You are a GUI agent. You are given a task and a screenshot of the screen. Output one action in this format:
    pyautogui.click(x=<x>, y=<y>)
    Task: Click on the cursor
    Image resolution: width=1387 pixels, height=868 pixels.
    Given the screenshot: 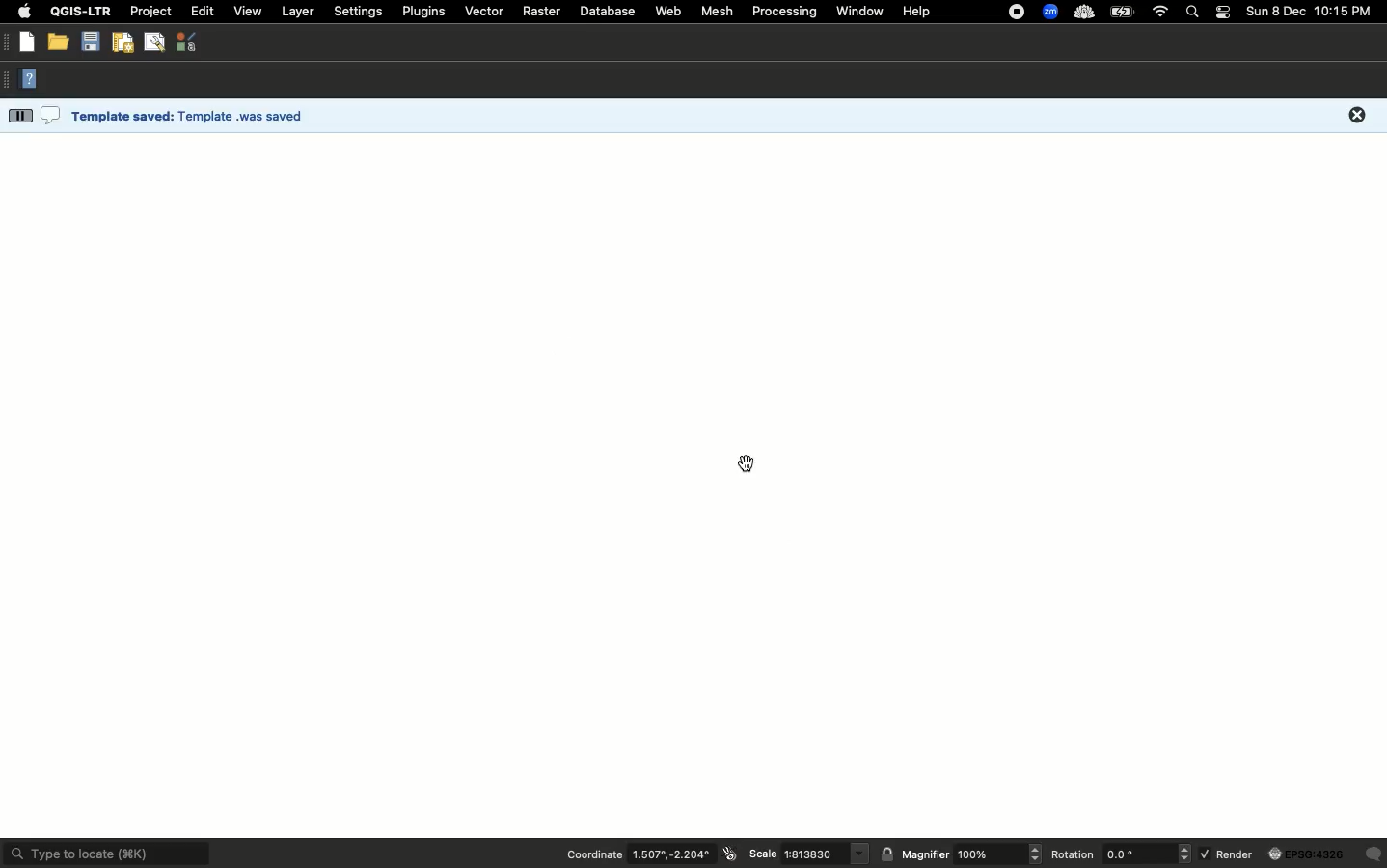 What is the action you would take?
    pyautogui.click(x=747, y=465)
    